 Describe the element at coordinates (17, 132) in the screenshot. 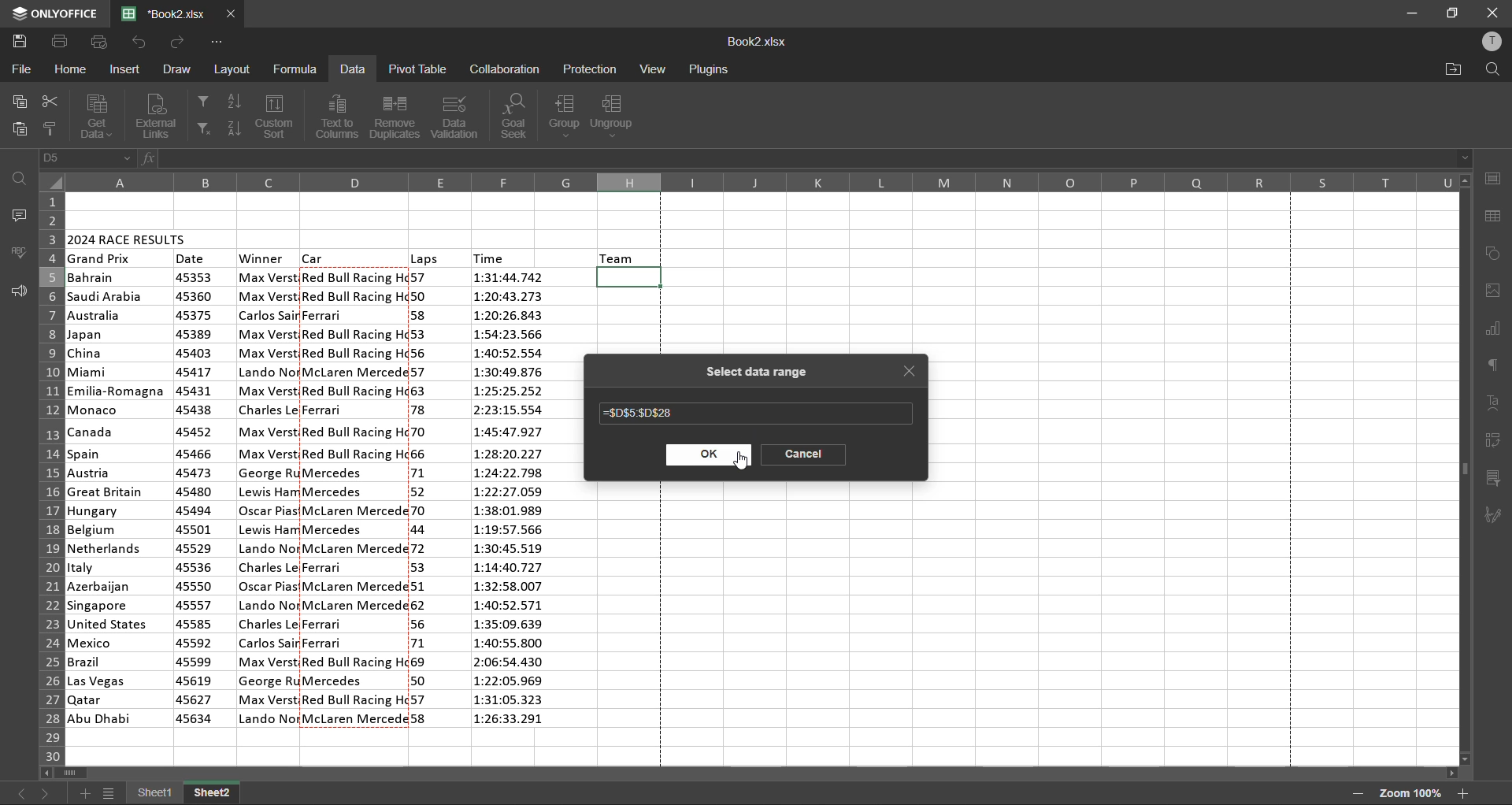

I see `paste` at that location.